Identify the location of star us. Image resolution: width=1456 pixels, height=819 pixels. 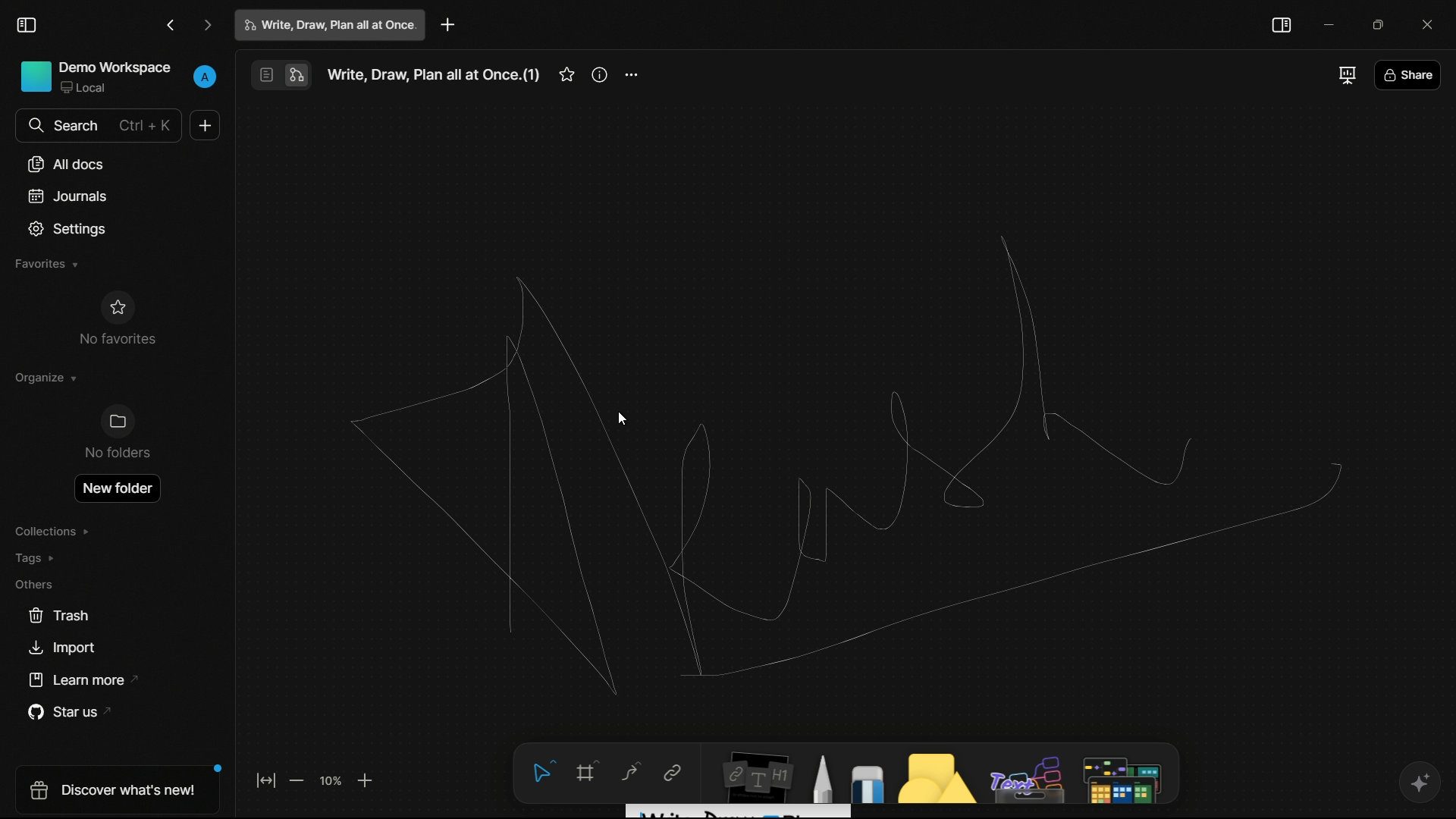
(67, 712).